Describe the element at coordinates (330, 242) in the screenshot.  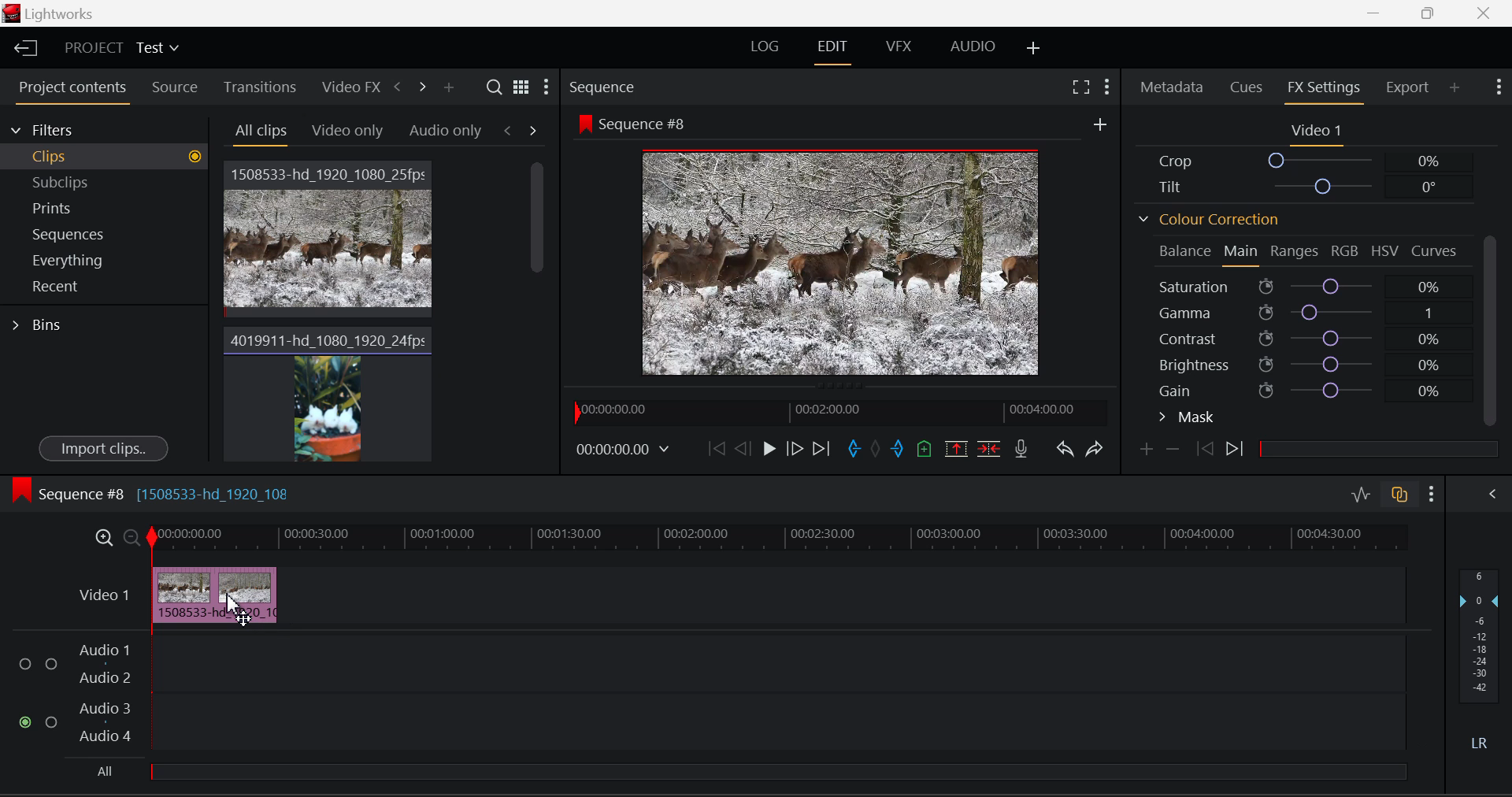
I see `Video Clip 1` at that location.